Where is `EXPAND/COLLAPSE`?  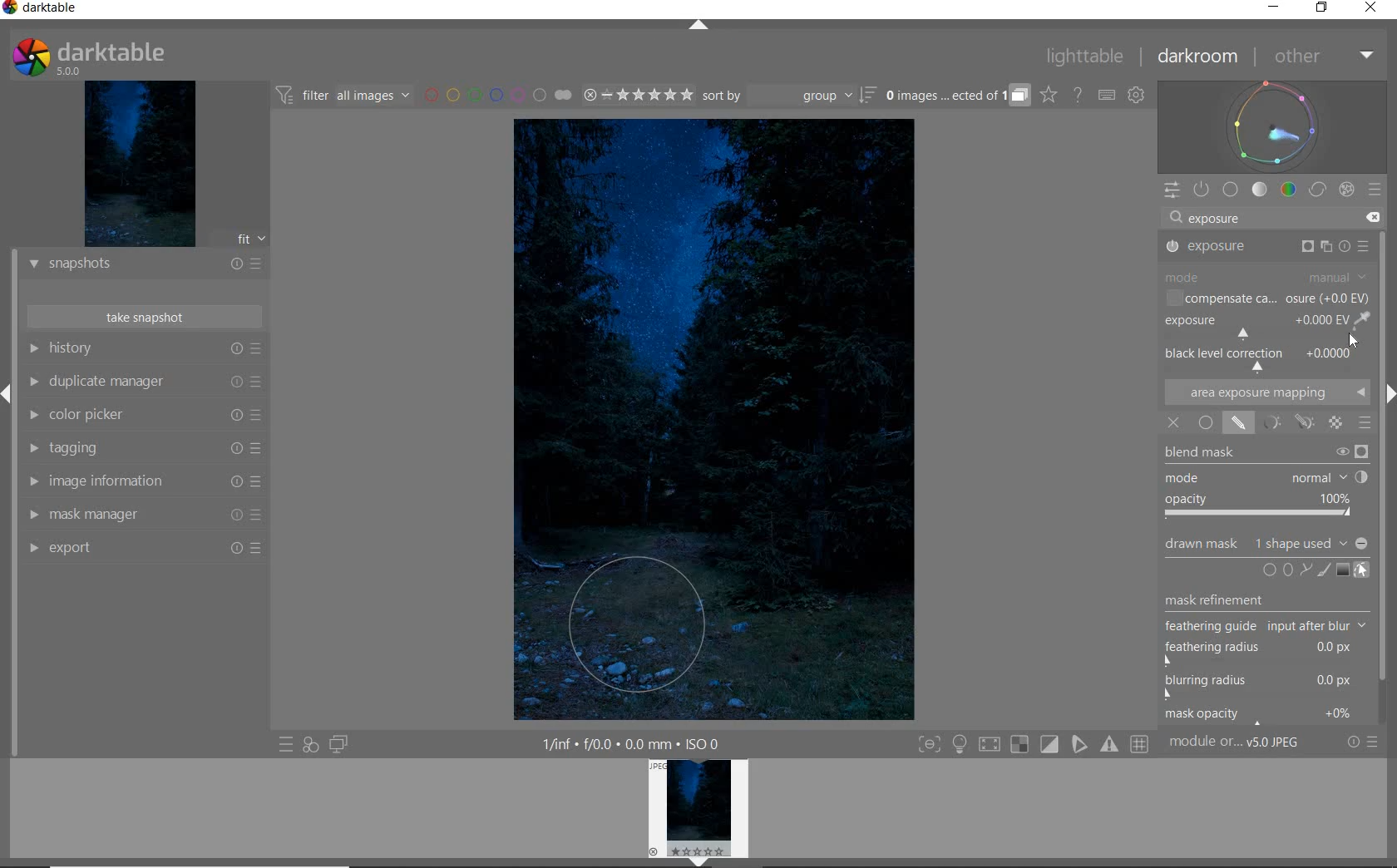 EXPAND/COLLAPSE is located at coordinates (699, 26).